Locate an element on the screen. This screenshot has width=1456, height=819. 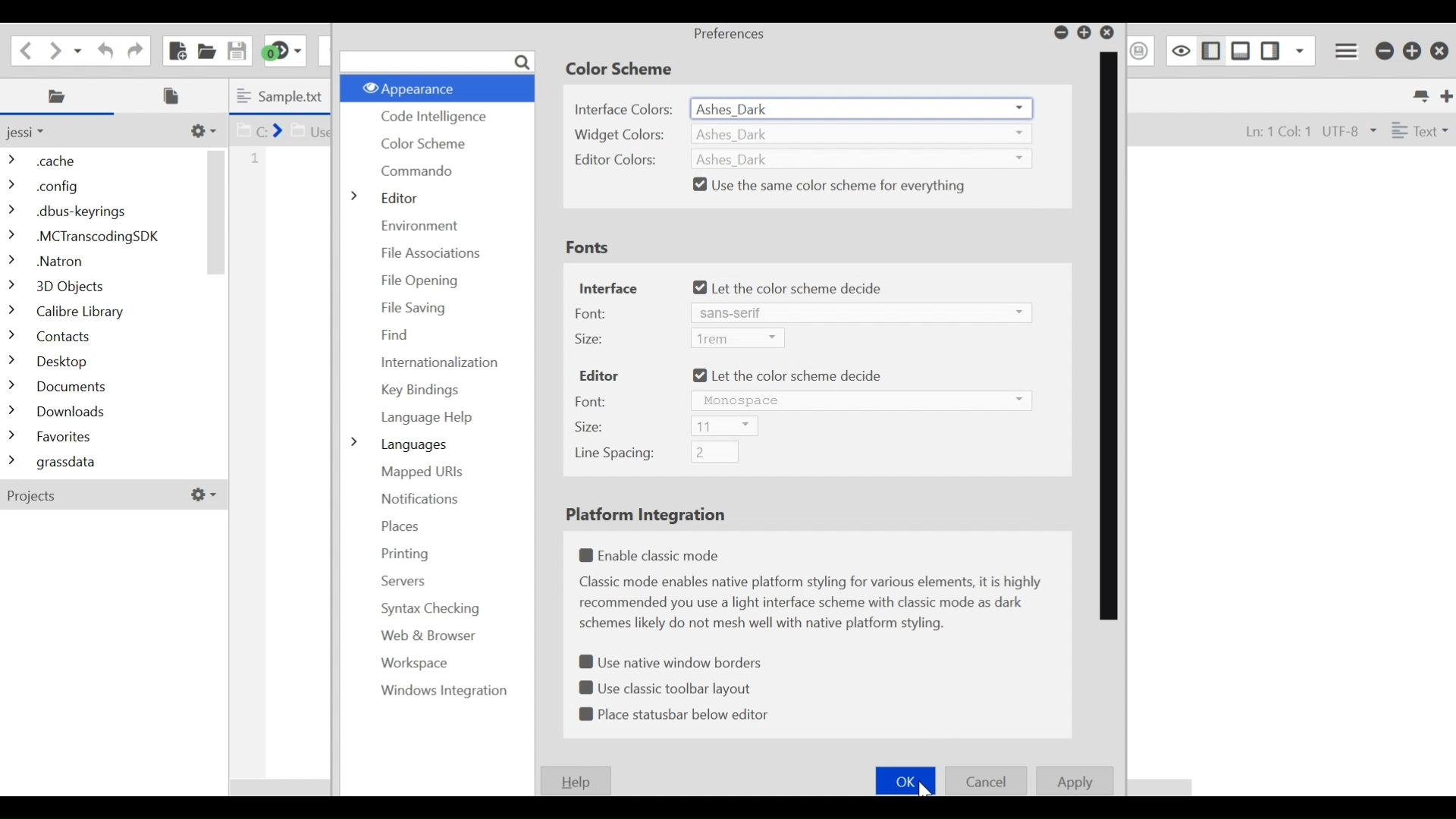
Save Macro as Toolbox as Superscript is located at coordinates (1141, 50).